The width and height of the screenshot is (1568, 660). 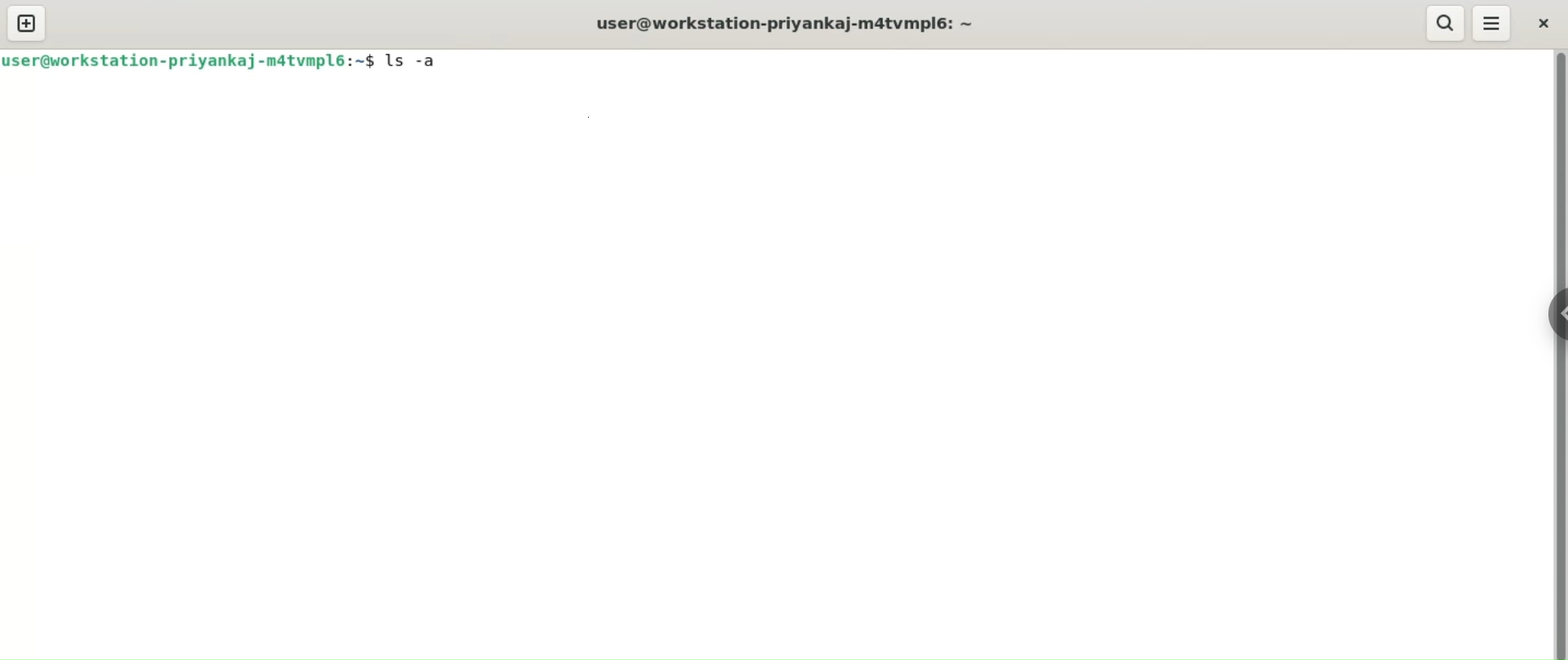 I want to click on search, so click(x=1445, y=22).